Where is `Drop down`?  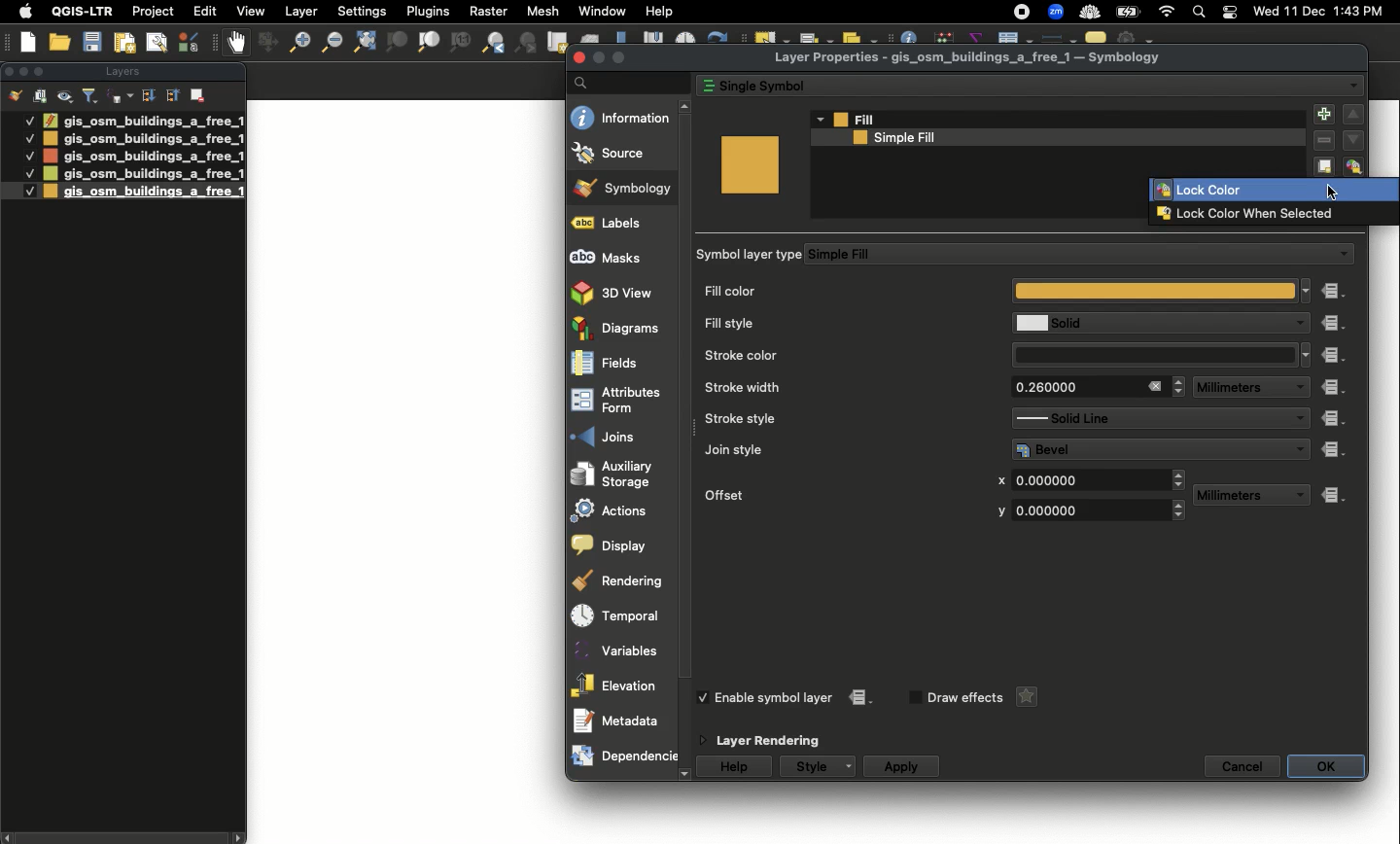 Drop down is located at coordinates (1343, 255).